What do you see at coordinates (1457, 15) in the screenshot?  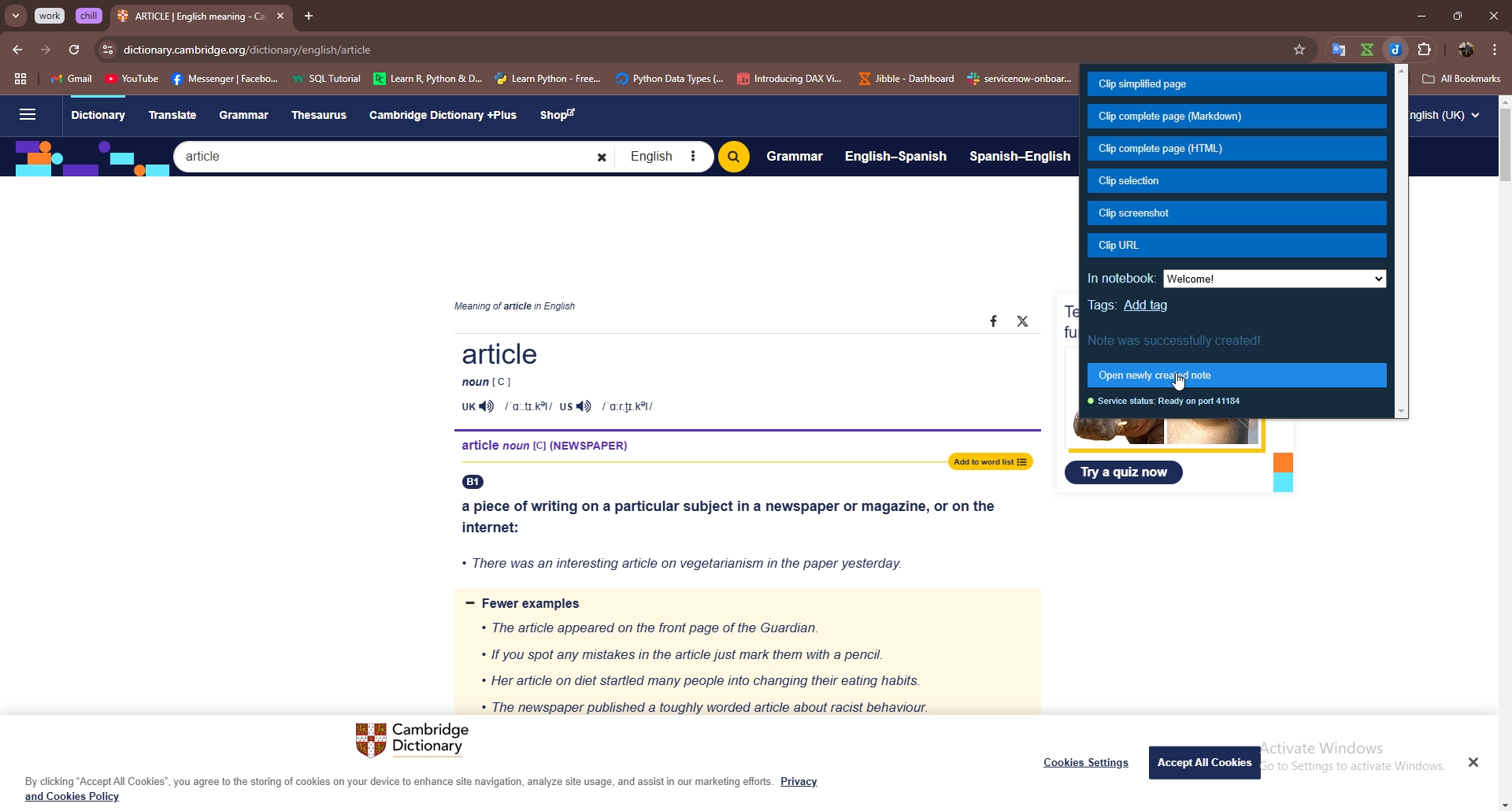 I see `resize` at bounding box center [1457, 15].